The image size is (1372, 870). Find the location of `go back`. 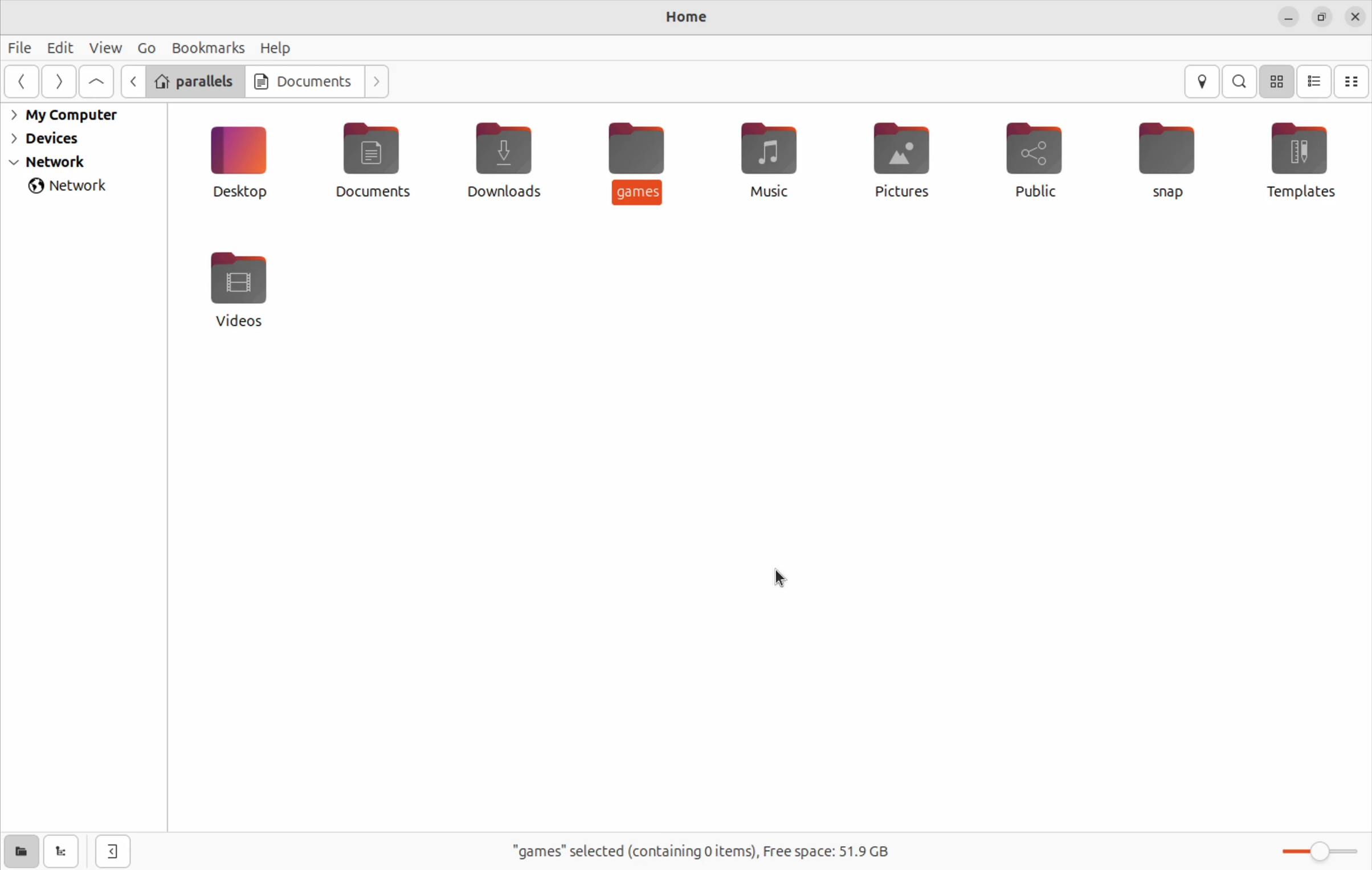

go back is located at coordinates (25, 83).